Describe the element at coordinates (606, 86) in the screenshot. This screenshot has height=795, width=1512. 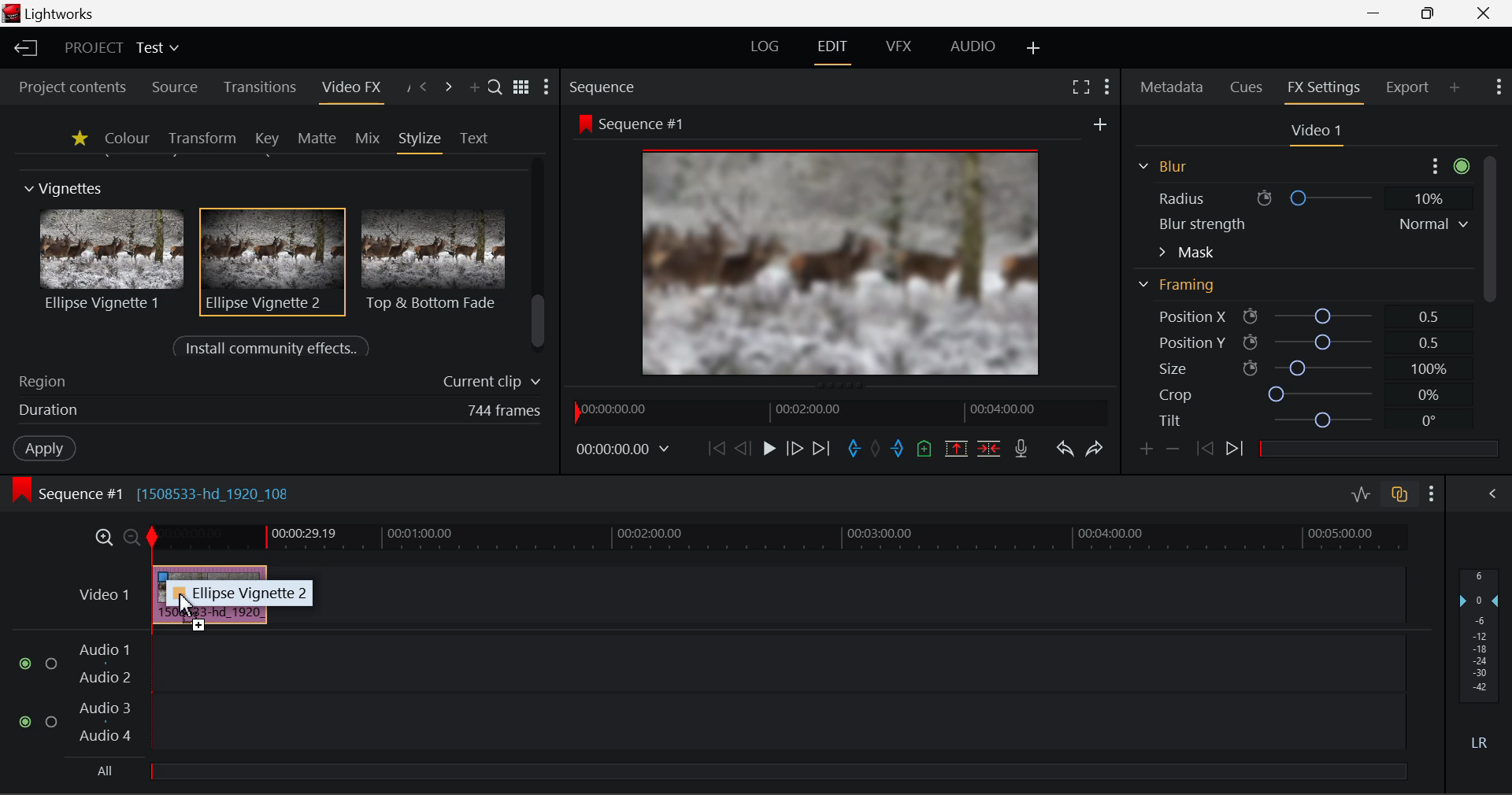
I see `Sequence Preview Section` at that location.